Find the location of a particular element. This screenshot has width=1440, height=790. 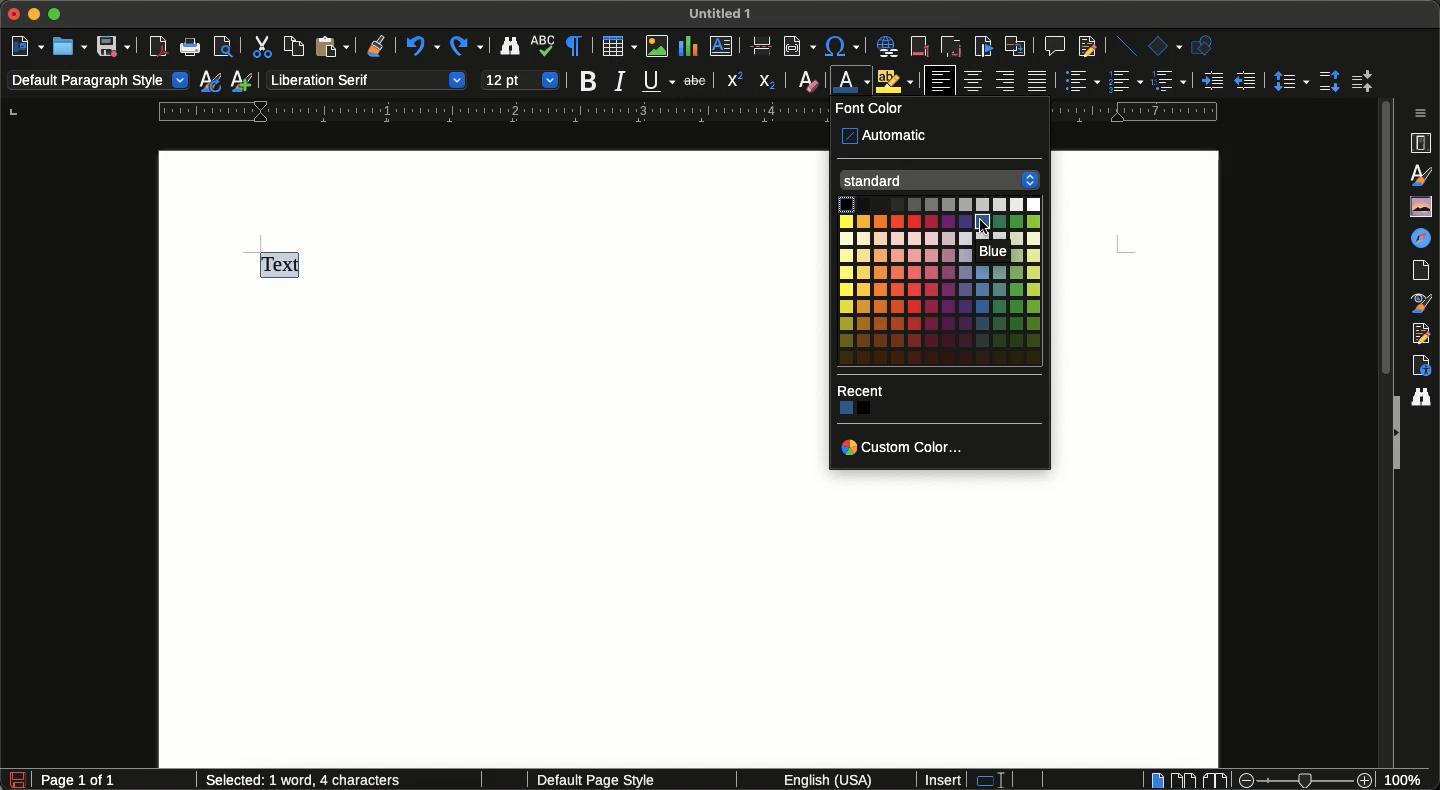

Standard selection is located at coordinates (999, 781).